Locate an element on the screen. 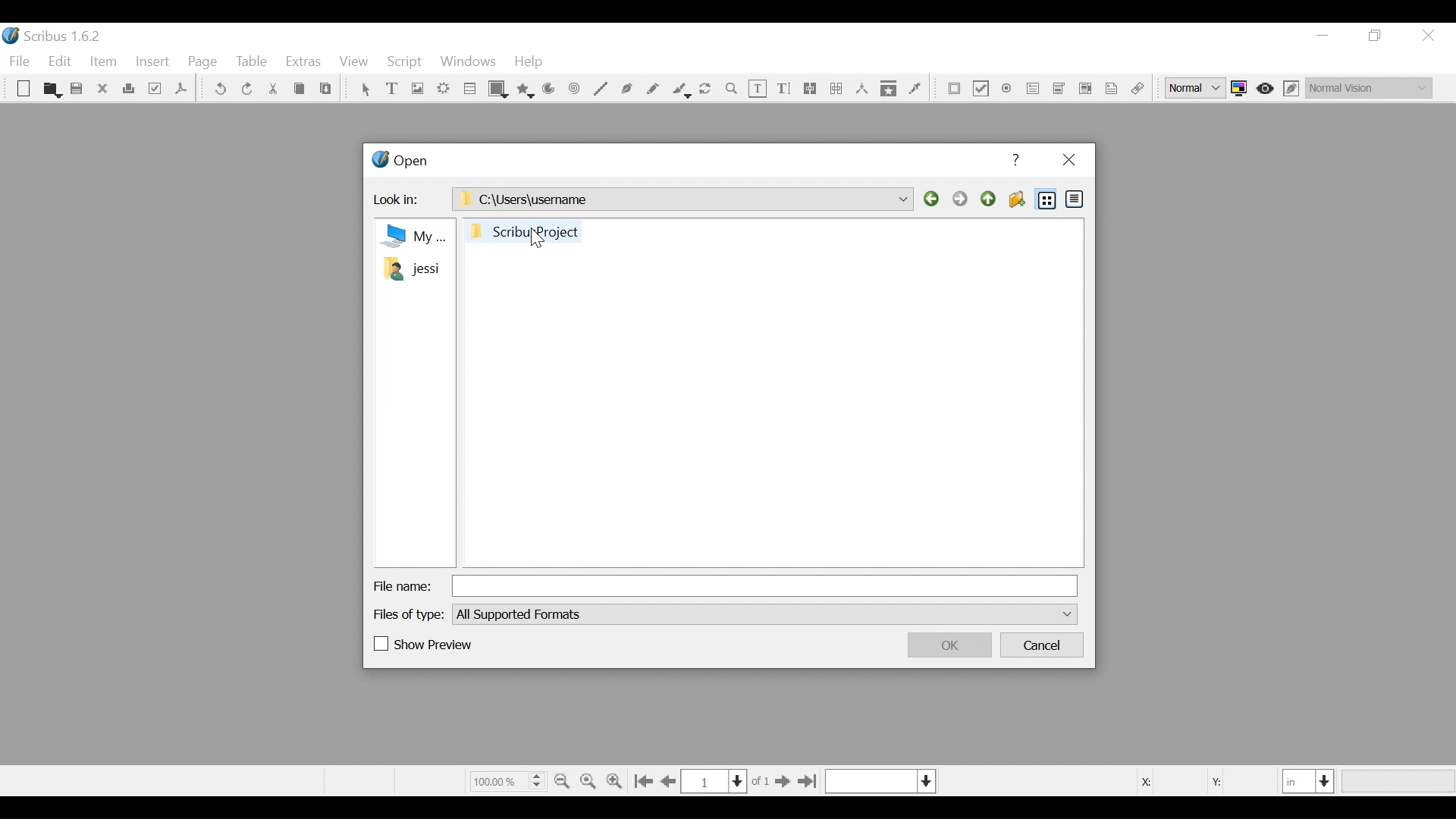 The height and width of the screenshot is (819, 1456). Calligraphic line is located at coordinates (680, 90).